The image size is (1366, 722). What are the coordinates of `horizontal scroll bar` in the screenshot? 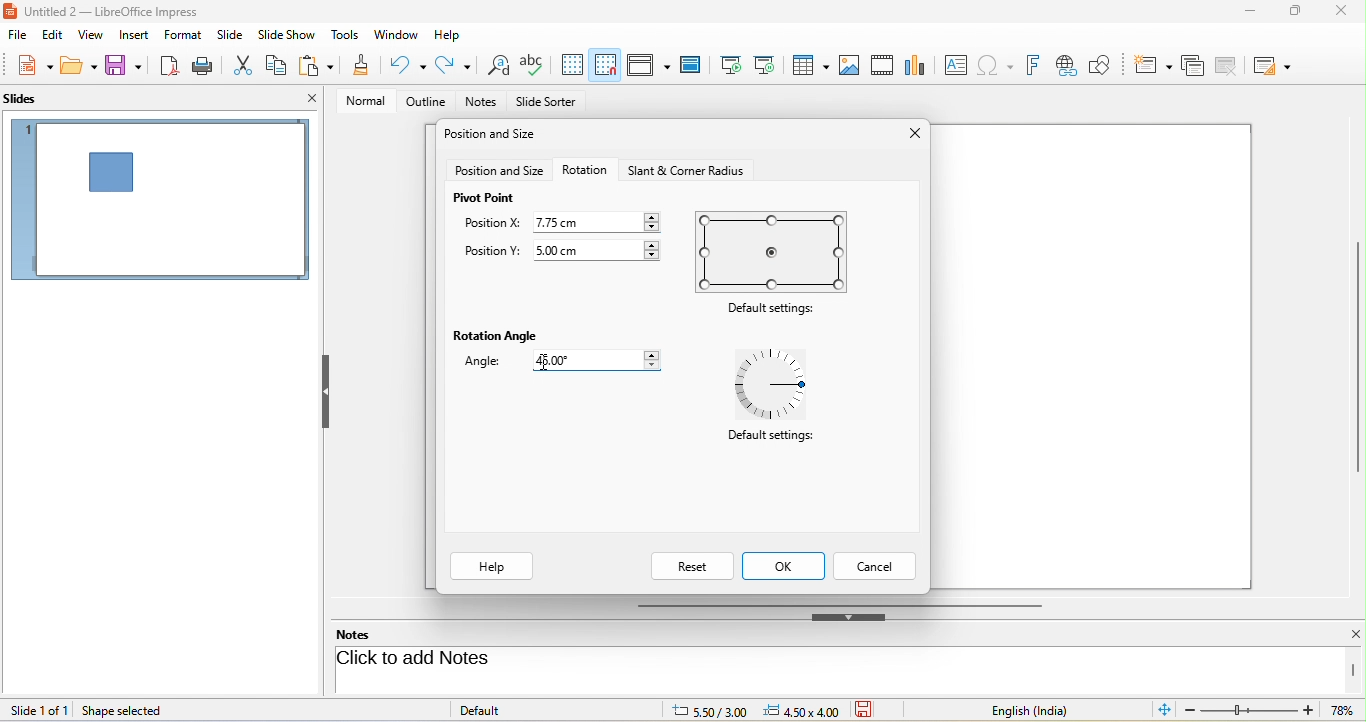 It's located at (839, 604).